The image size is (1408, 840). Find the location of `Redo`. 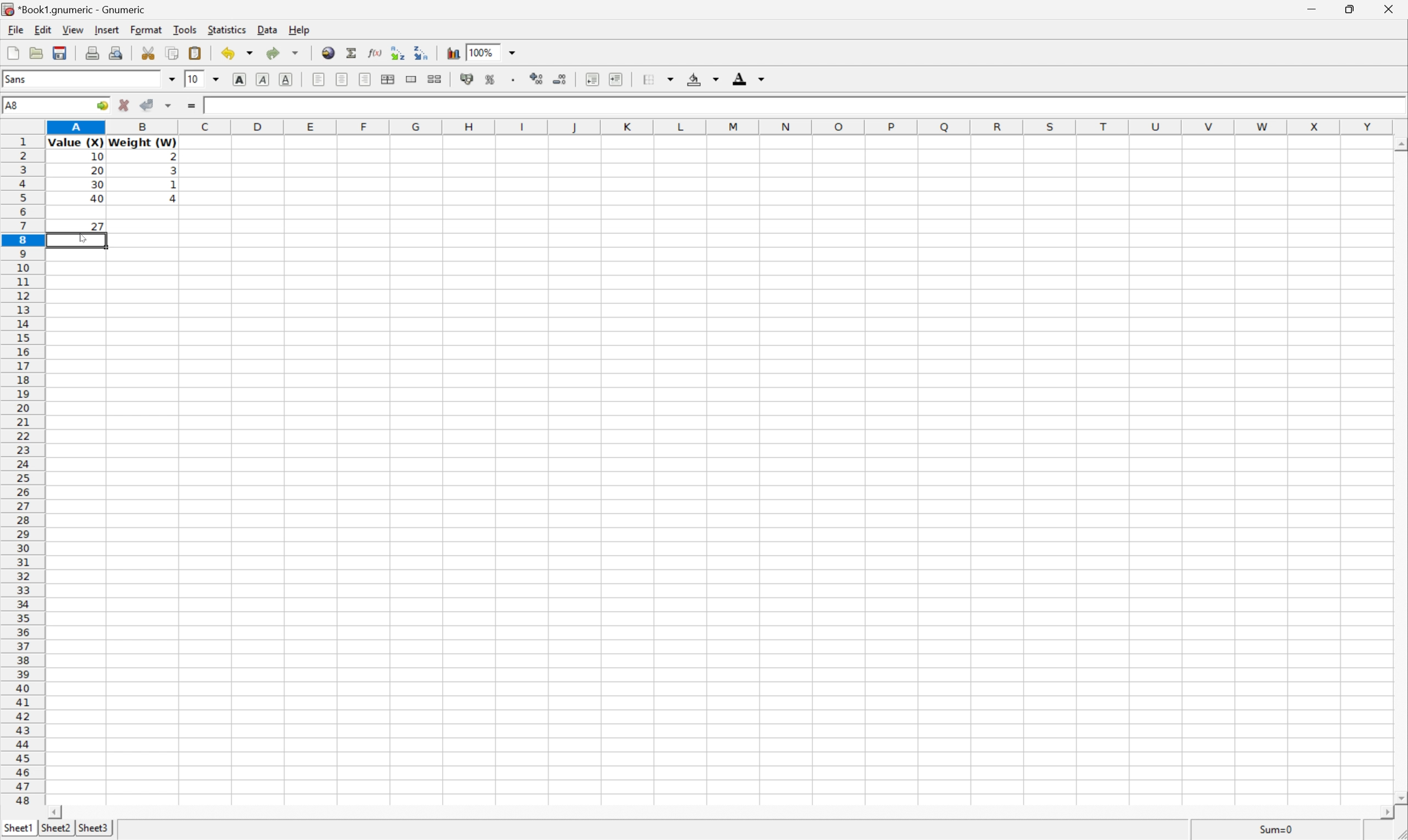

Redo is located at coordinates (284, 52).